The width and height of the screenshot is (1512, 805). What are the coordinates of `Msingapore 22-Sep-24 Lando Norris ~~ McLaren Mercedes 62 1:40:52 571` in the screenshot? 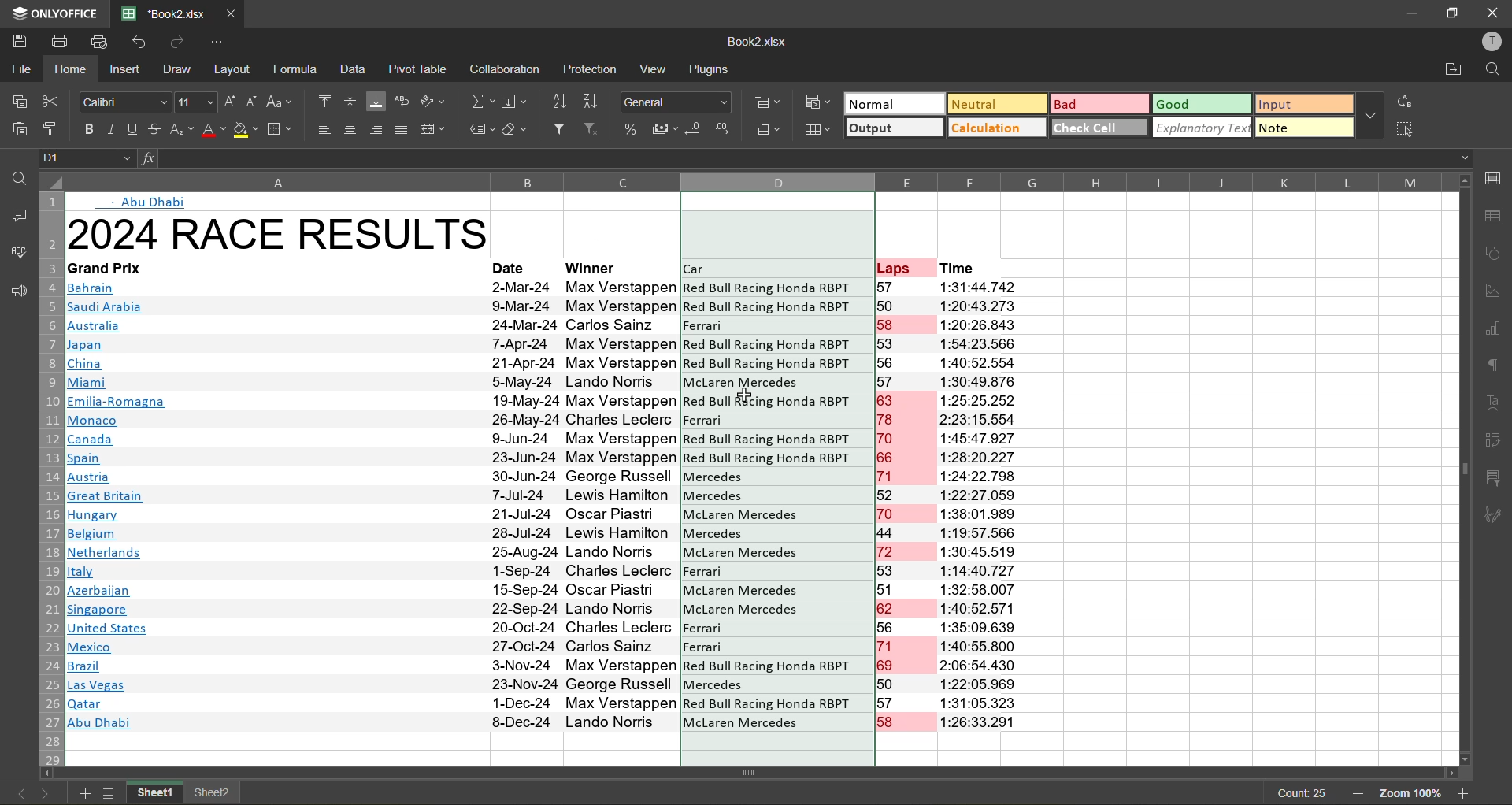 It's located at (550, 608).